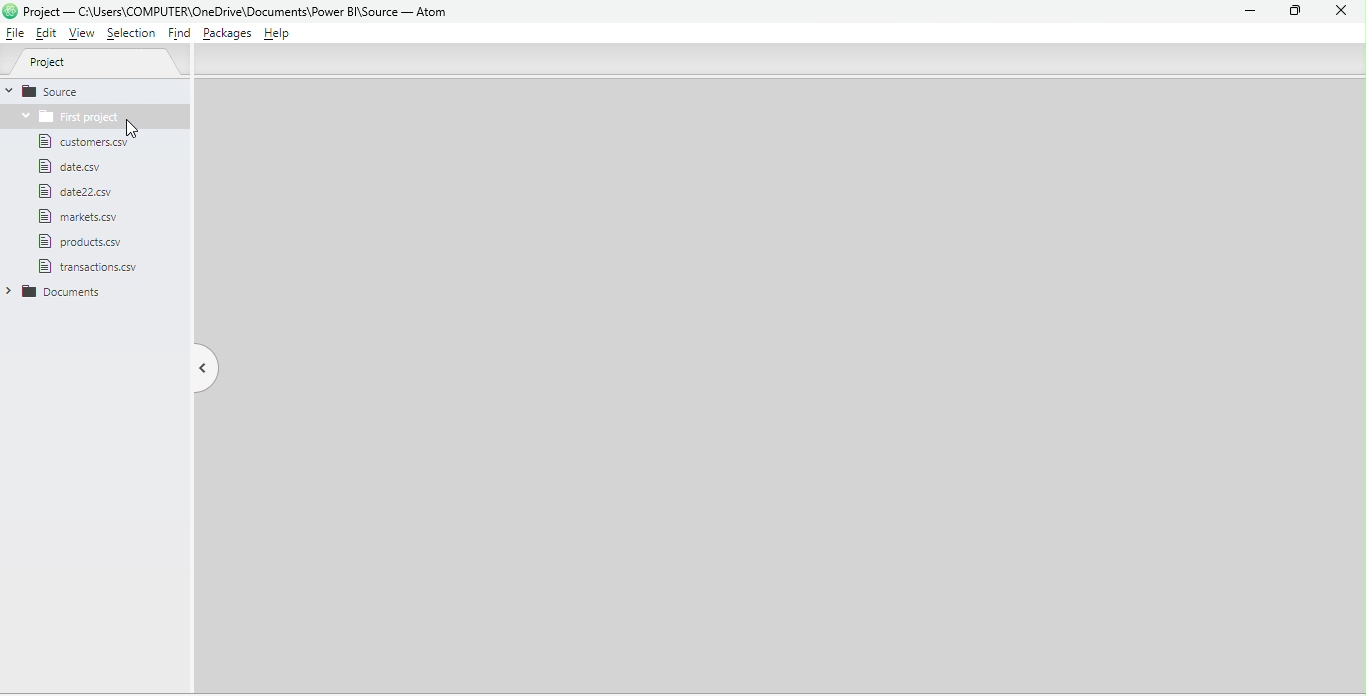 The height and width of the screenshot is (696, 1366). I want to click on File, so click(91, 266).